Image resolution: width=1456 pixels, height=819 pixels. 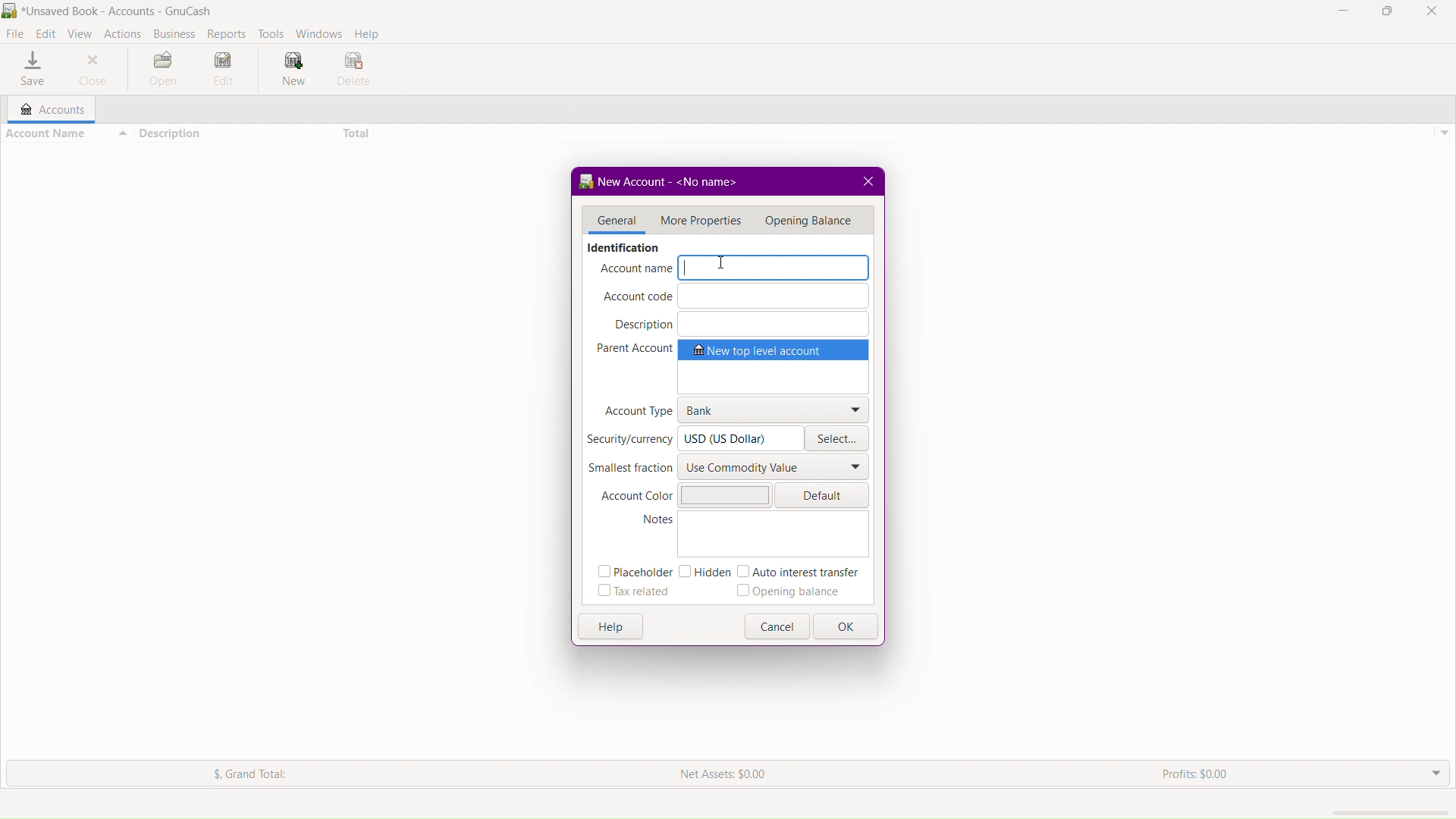 What do you see at coordinates (17, 32) in the screenshot?
I see `File` at bounding box center [17, 32].